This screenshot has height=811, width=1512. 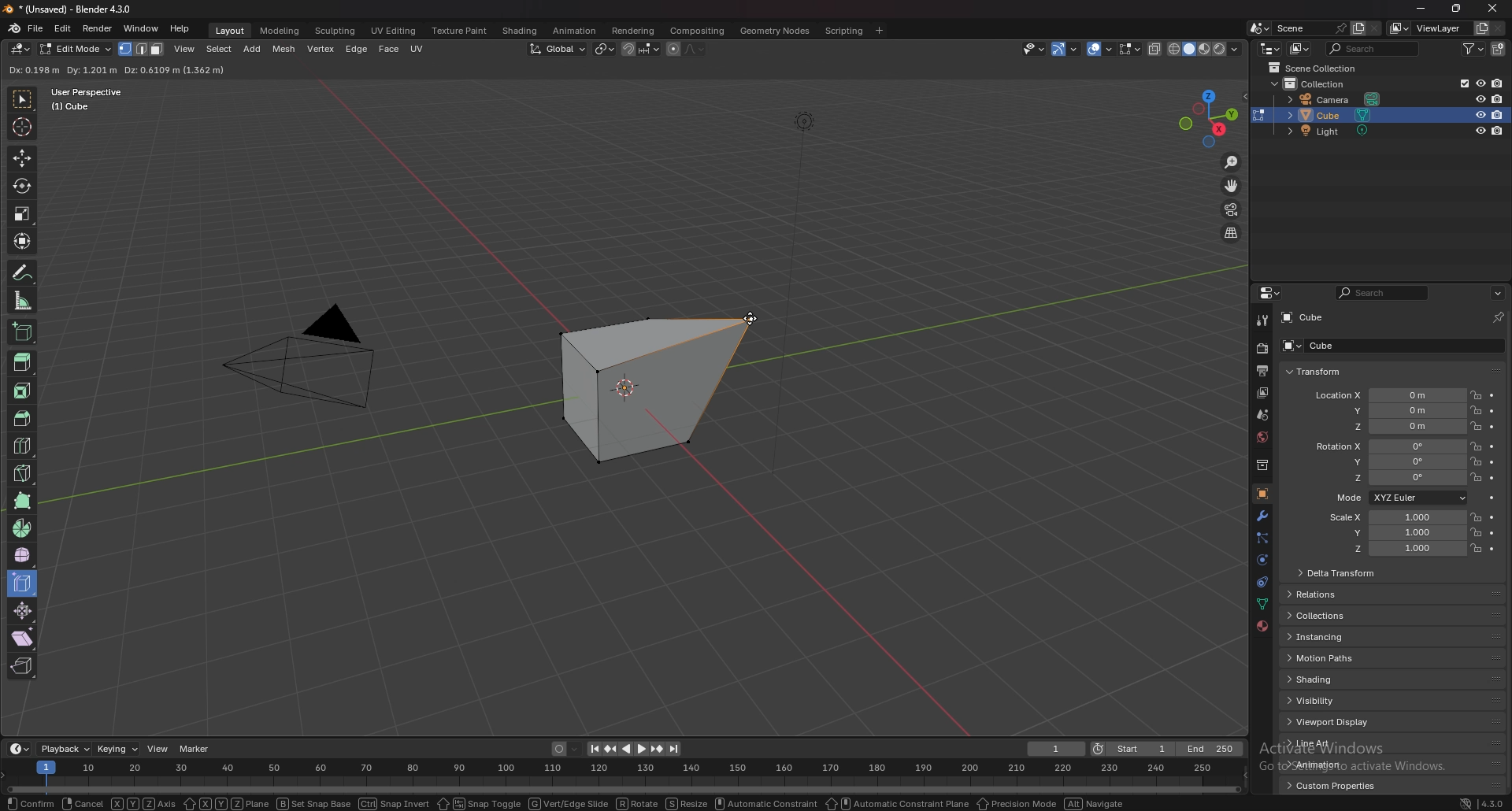 I want to click on show overlays, so click(x=1128, y=49).